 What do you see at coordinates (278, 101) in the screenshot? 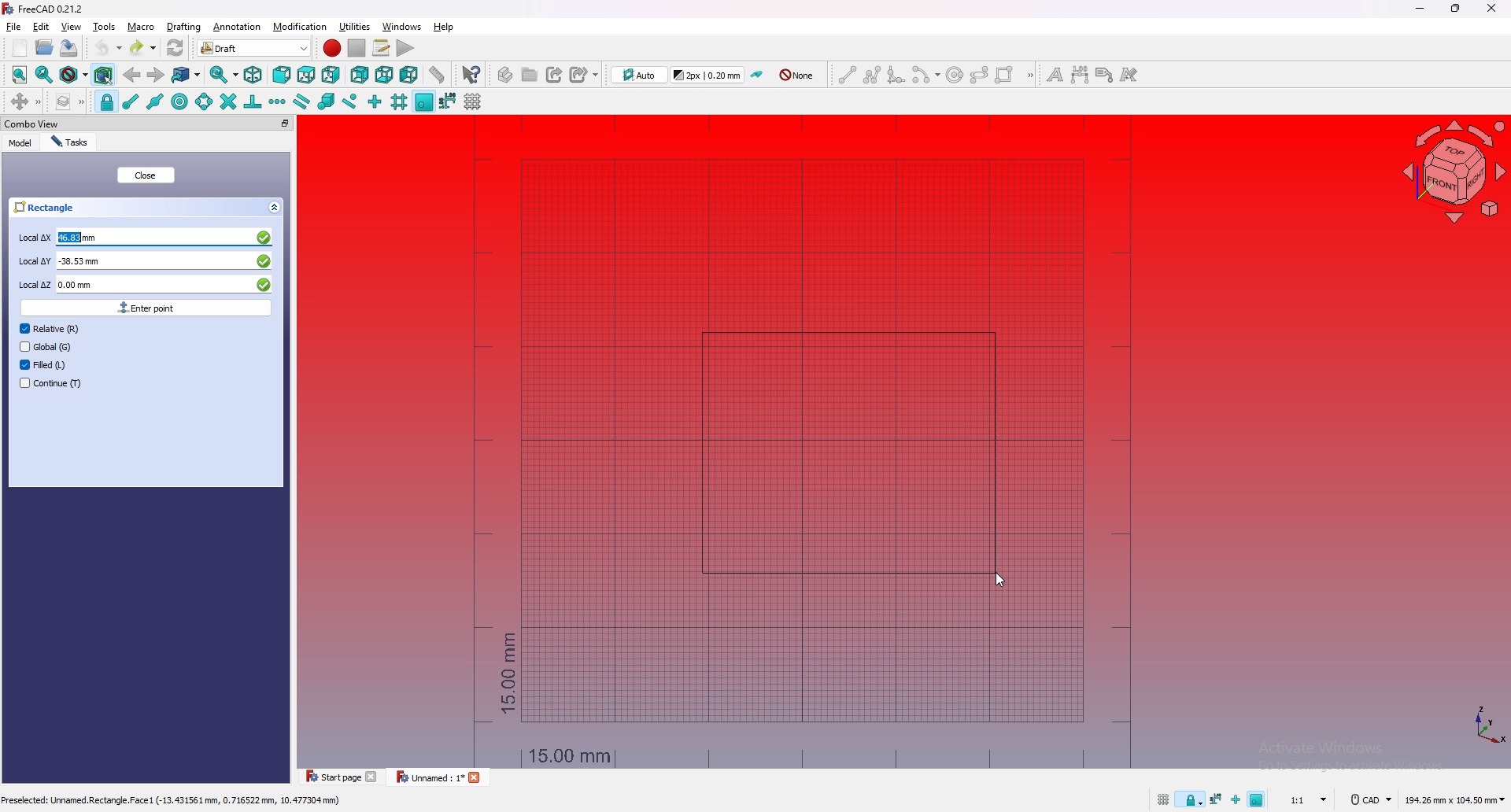
I see `snap extension` at bounding box center [278, 101].